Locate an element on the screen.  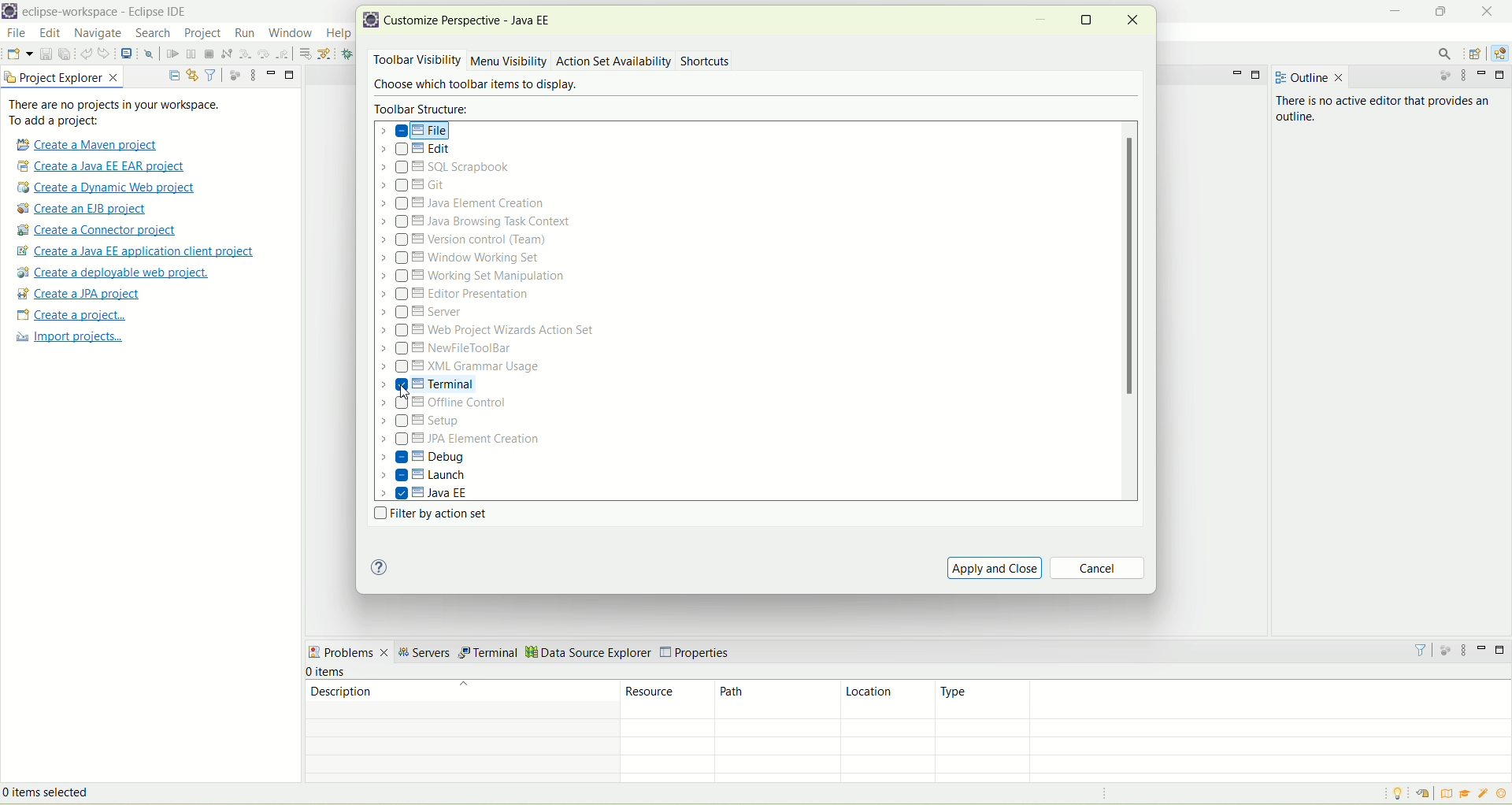
focus on active task is located at coordinates (233, 74).